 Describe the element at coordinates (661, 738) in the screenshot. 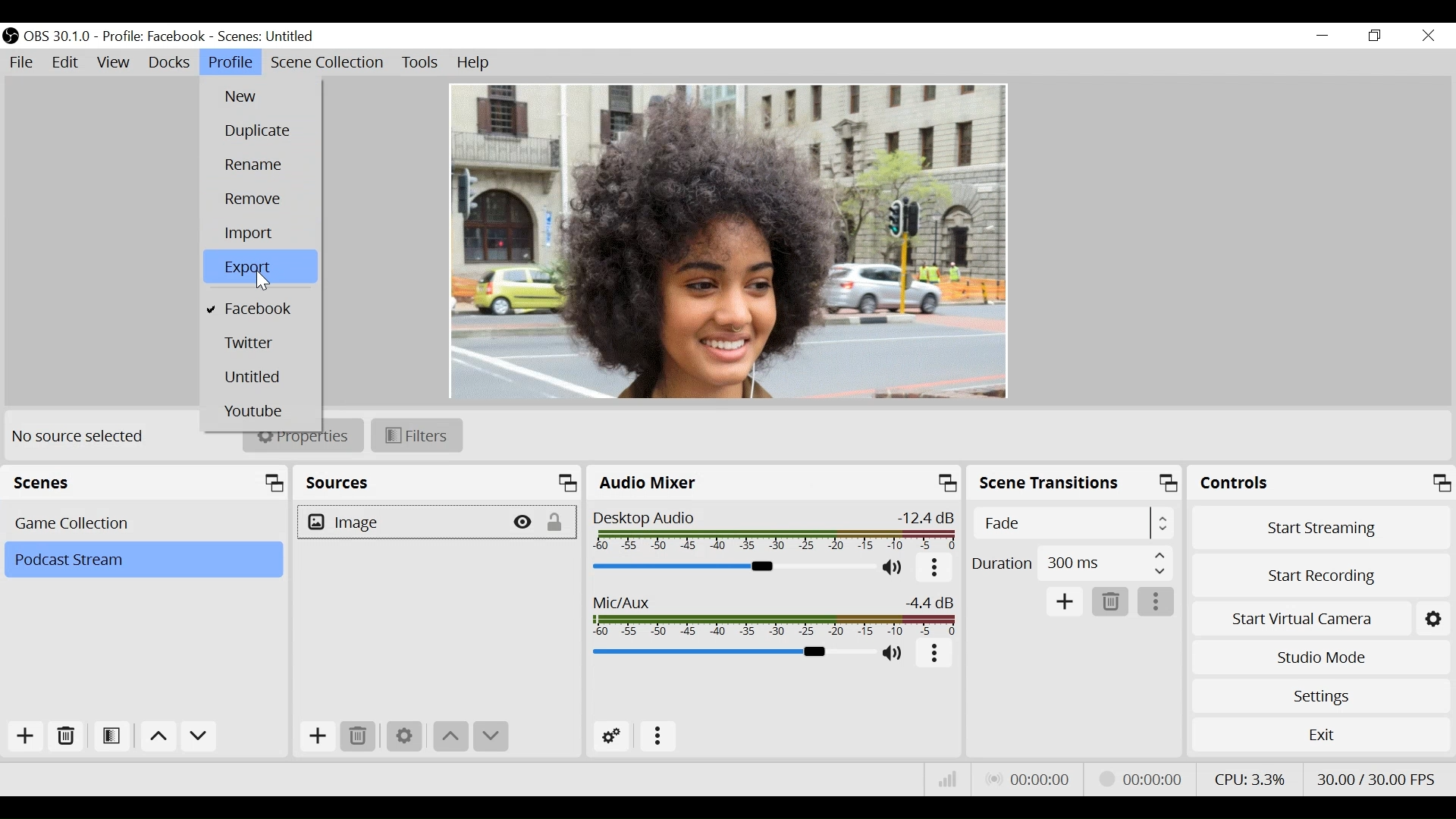

I see `More options` at that location.